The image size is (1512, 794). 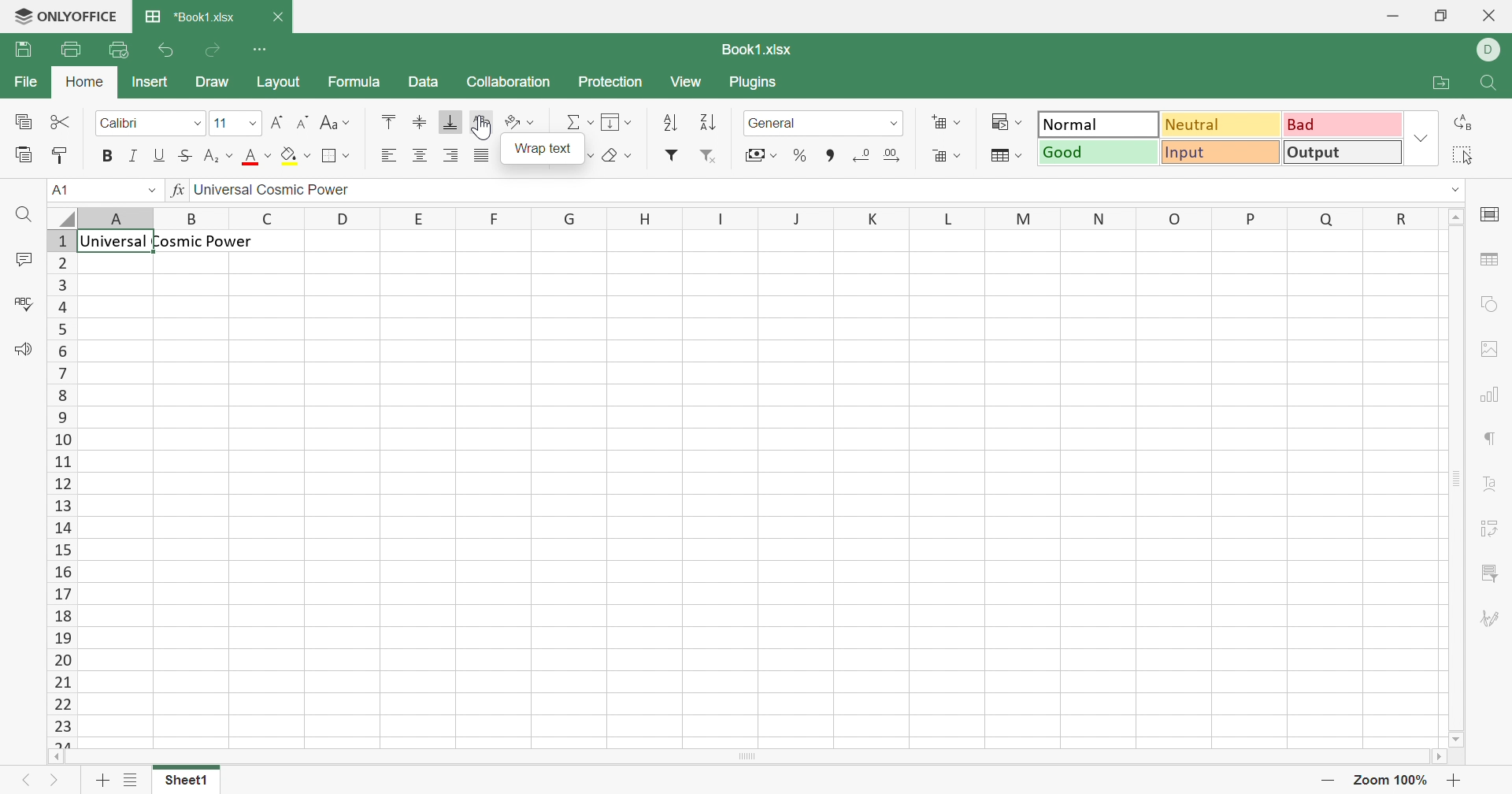 What do you see at coordinates (802, 156) in the screenshot?
I see `Percentage style` at bounding box center [802, 156].